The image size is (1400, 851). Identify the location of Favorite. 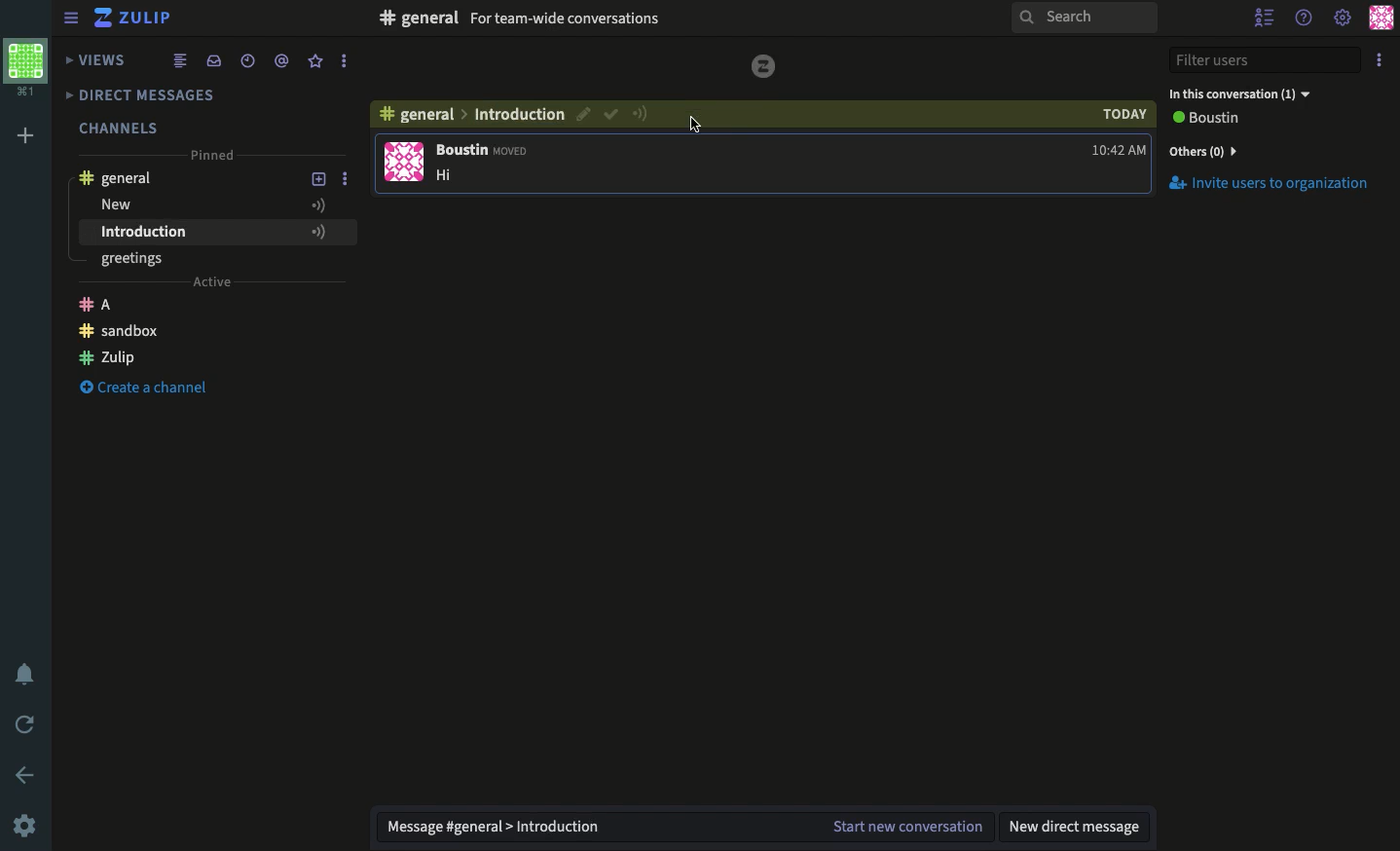
(316, 61).